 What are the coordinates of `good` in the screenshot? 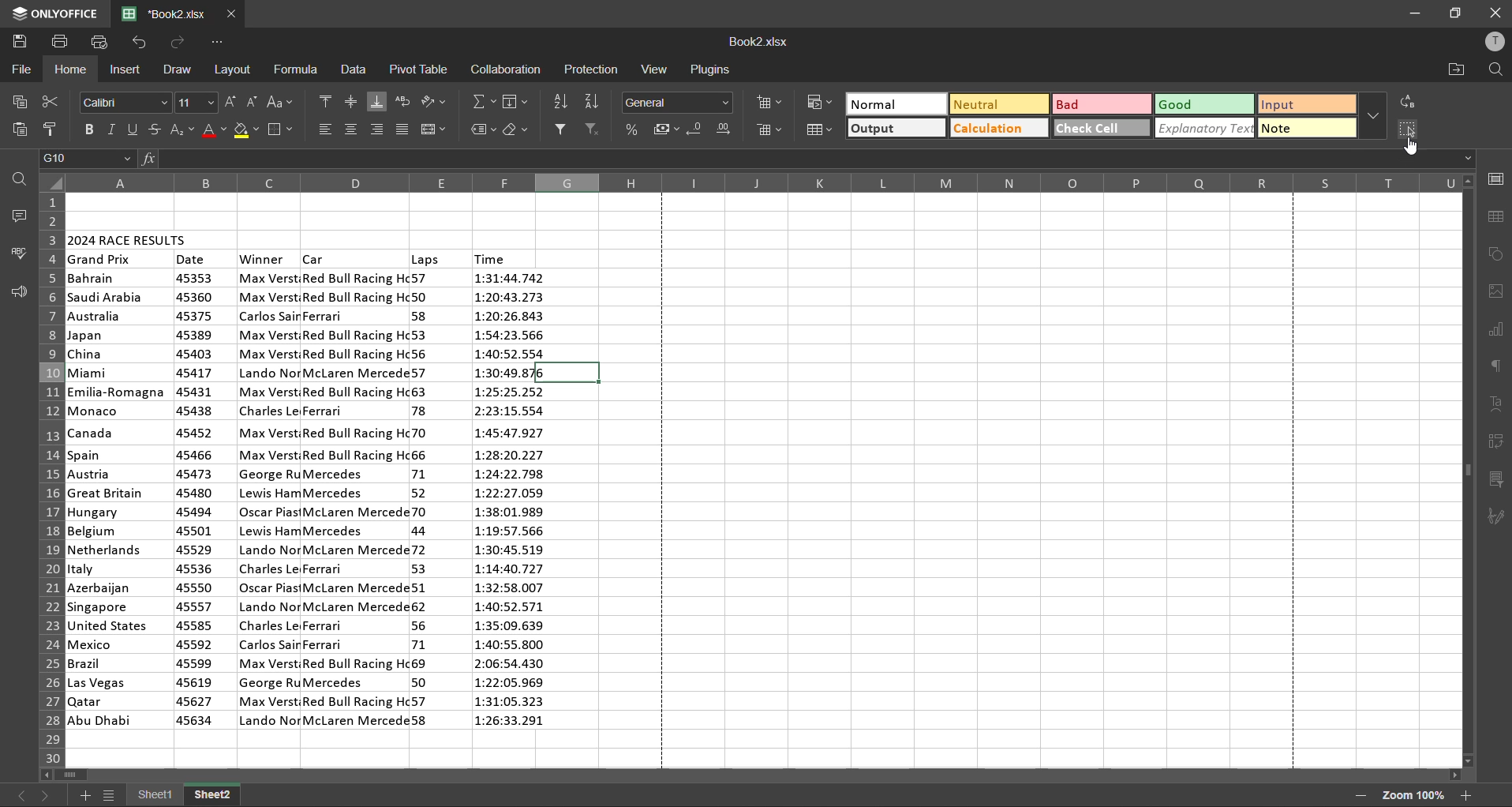 It's located at (1204, 104).